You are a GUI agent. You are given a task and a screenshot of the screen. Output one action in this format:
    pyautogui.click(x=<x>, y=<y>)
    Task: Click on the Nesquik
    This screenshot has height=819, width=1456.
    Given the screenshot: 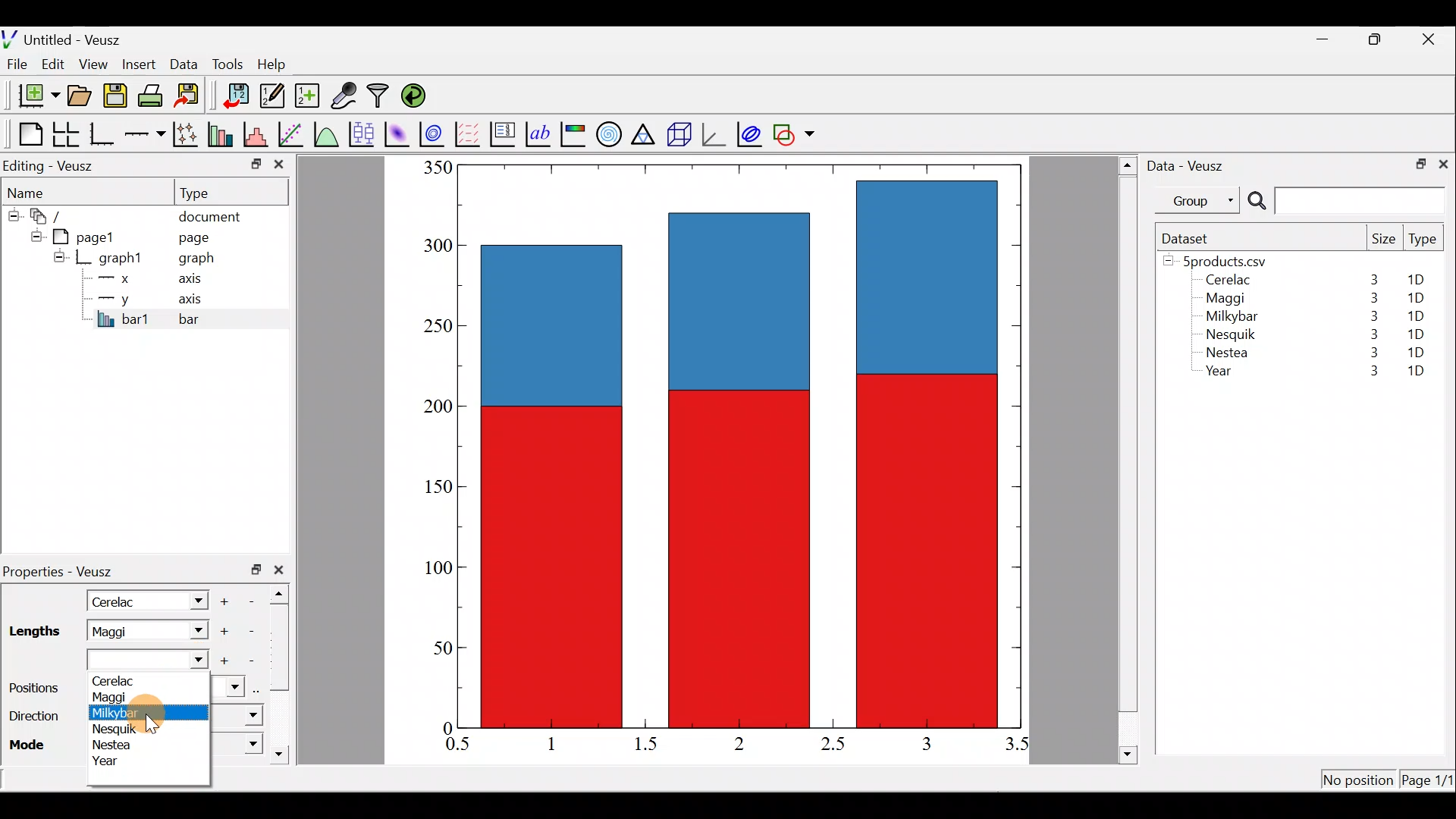 What is the action you would take?
    pyautogui.click(x=129, y=729)
    